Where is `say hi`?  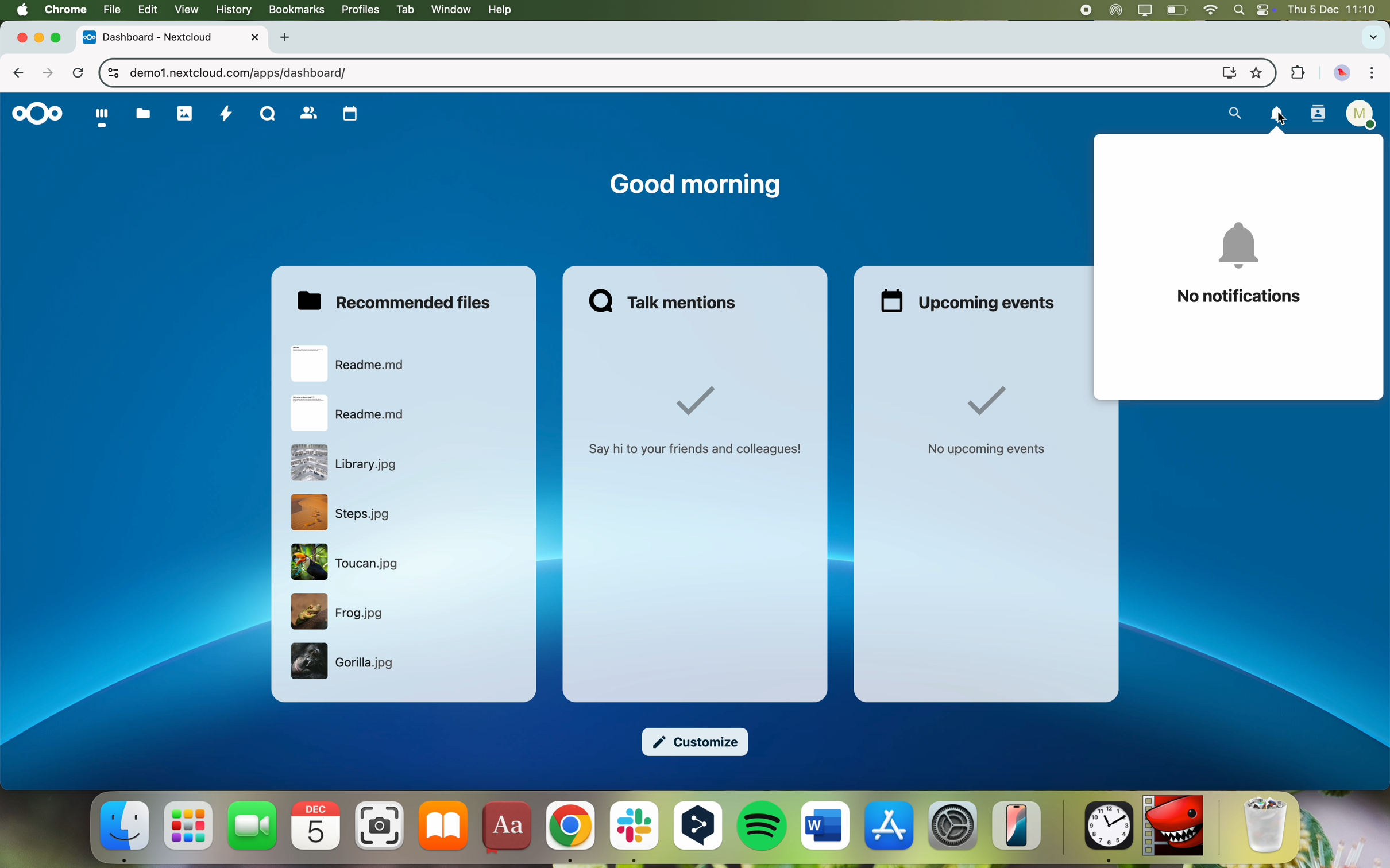 say hi is located at coordinates (698, 421).